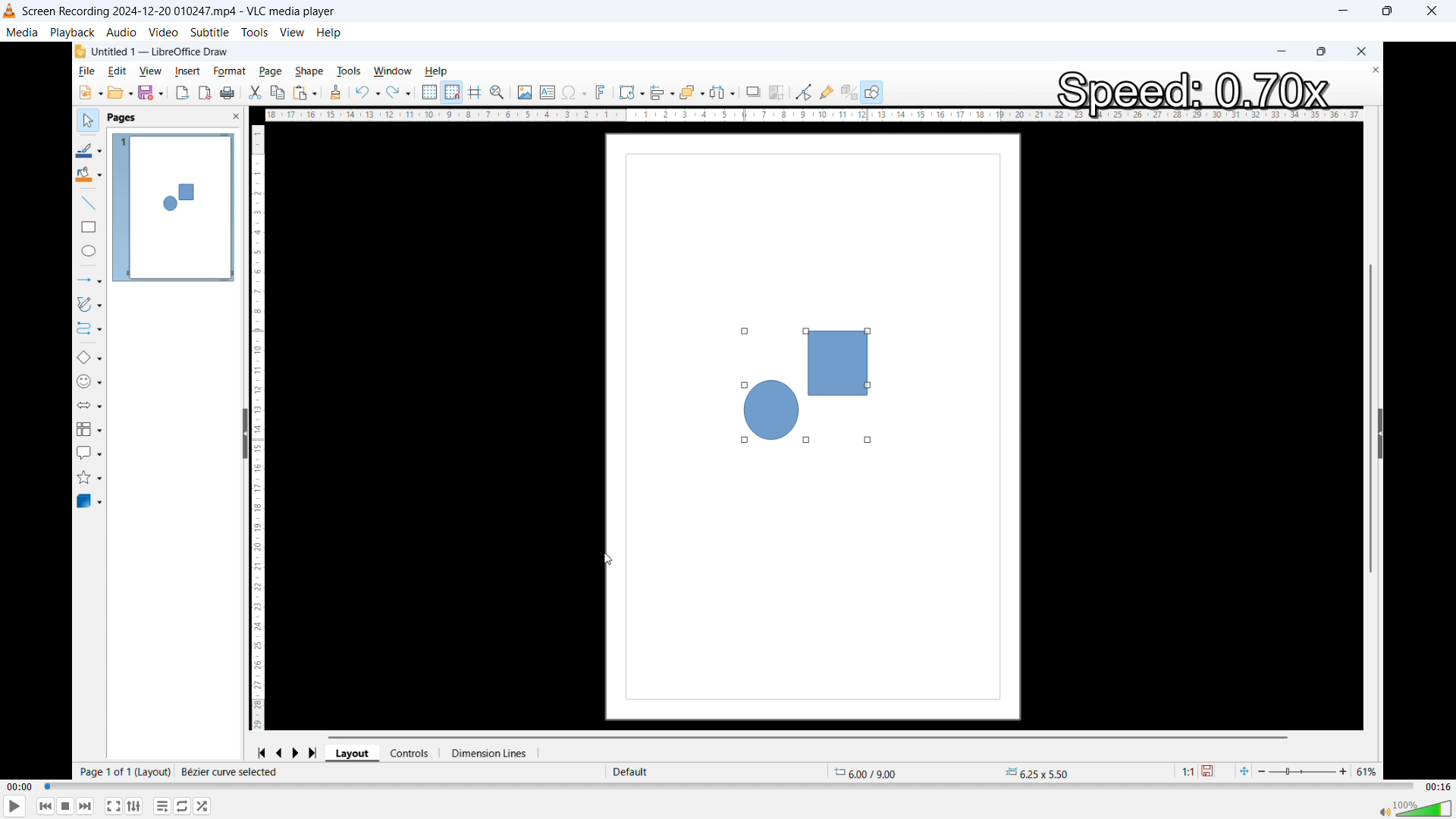  I want to click on Show advanced settings , so click(133, 806).